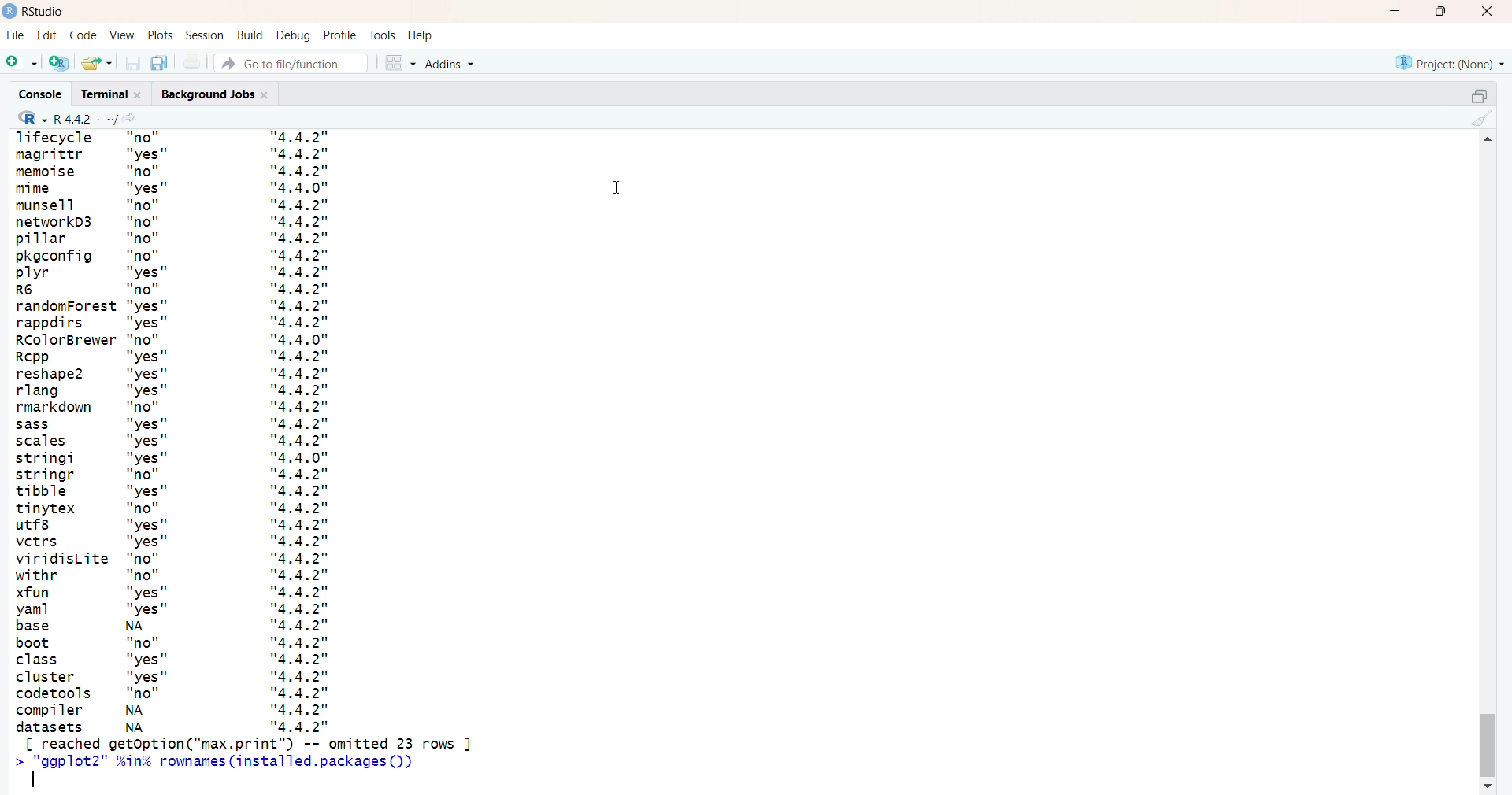 The image size is (1512, 795). I want to click on minimize, so click(1392, 11).